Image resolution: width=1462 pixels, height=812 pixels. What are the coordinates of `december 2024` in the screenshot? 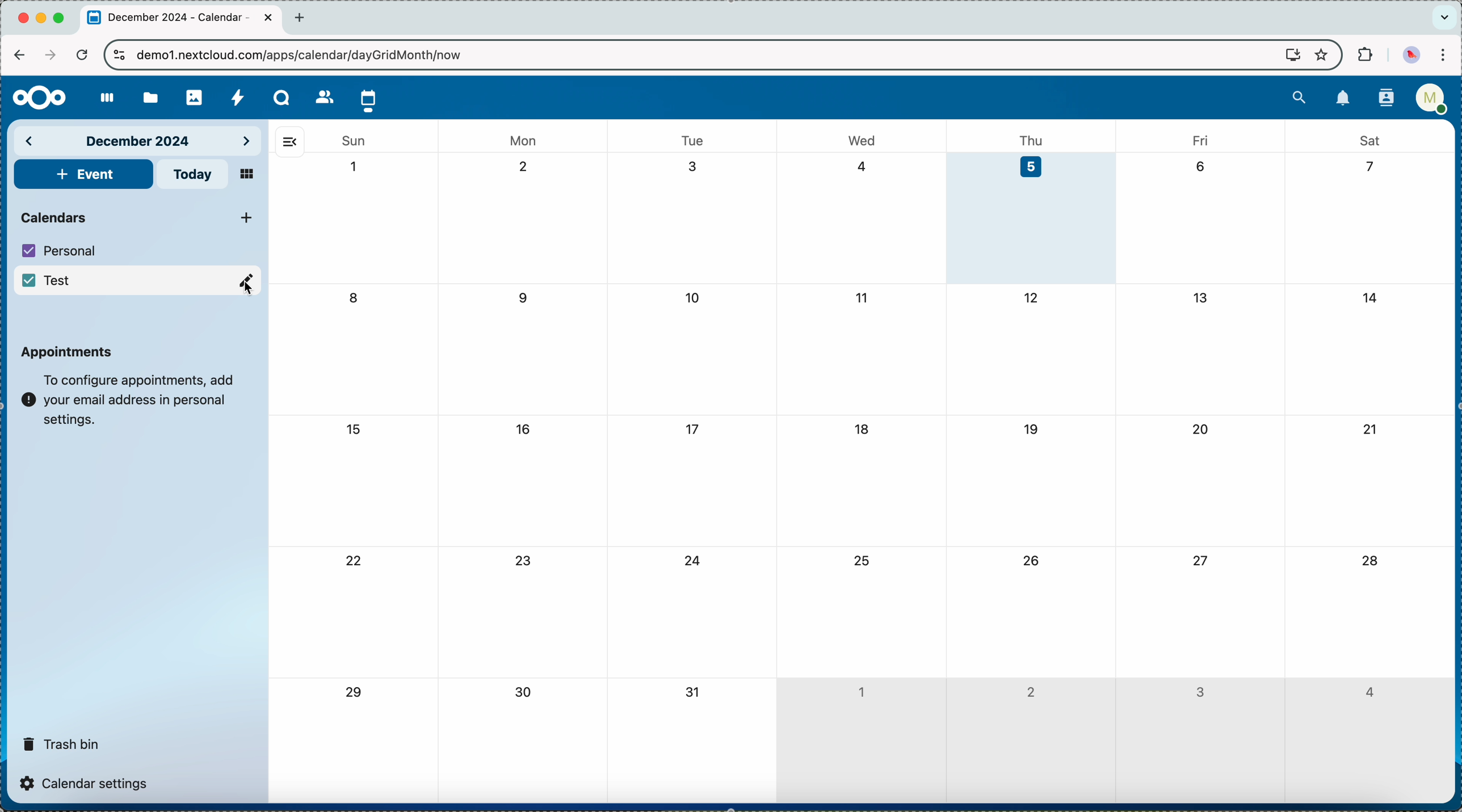 It's located at (140, 140).